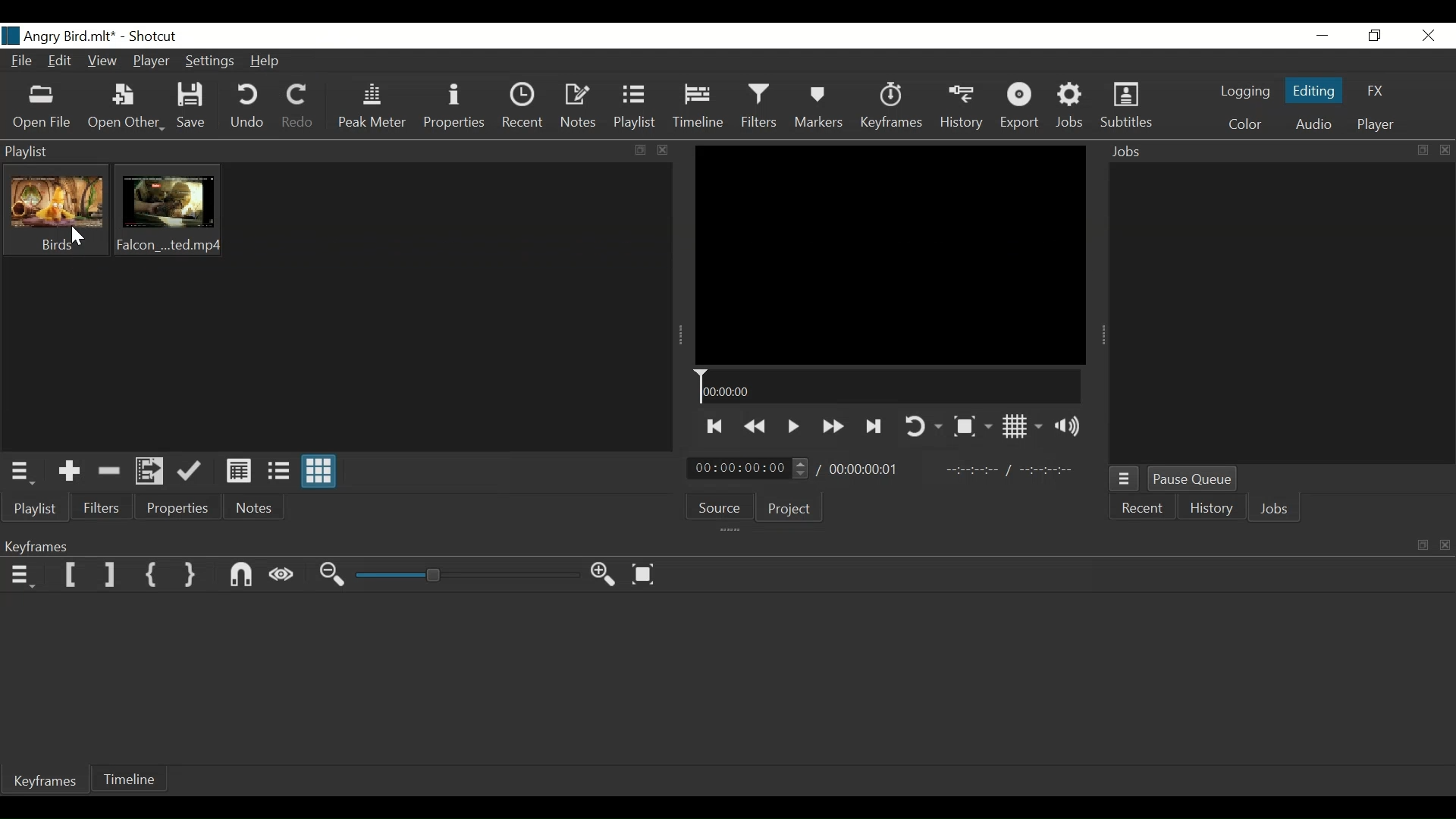  I want to click on Set First Simple keyframe, so click(155, 576).